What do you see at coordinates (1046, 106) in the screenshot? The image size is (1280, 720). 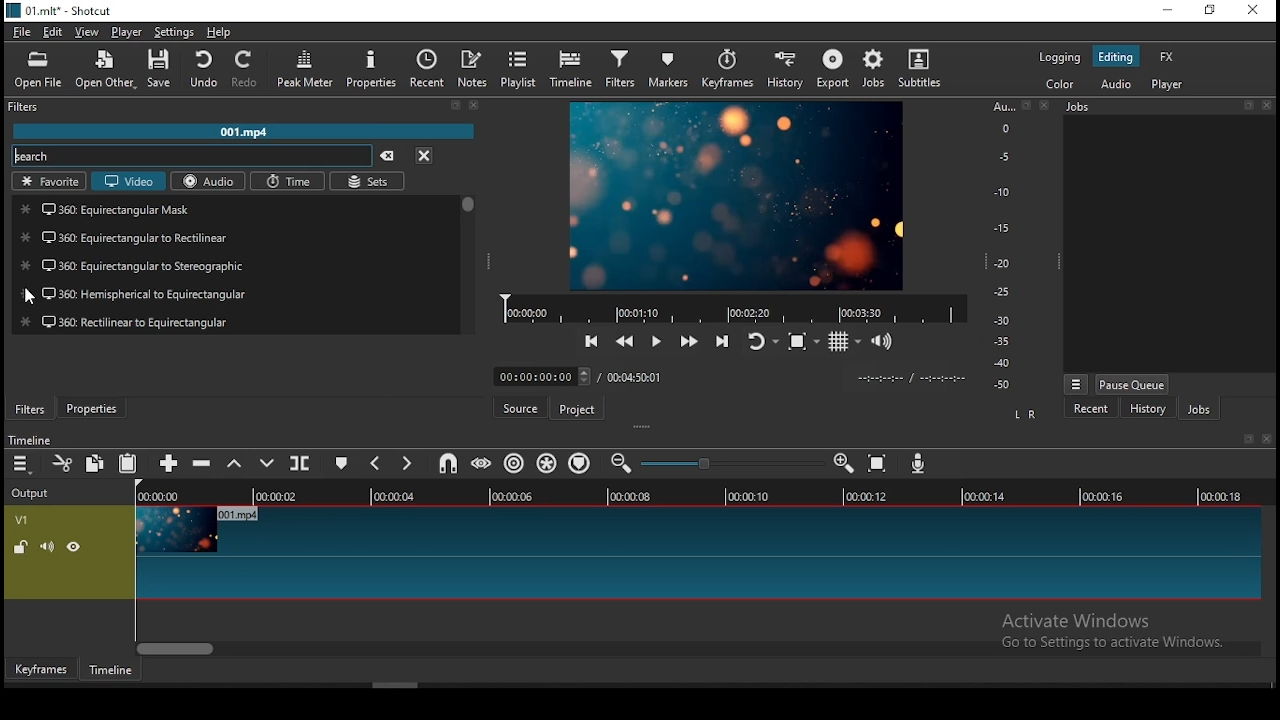 I see `close` at bounding box center [1046, 106].